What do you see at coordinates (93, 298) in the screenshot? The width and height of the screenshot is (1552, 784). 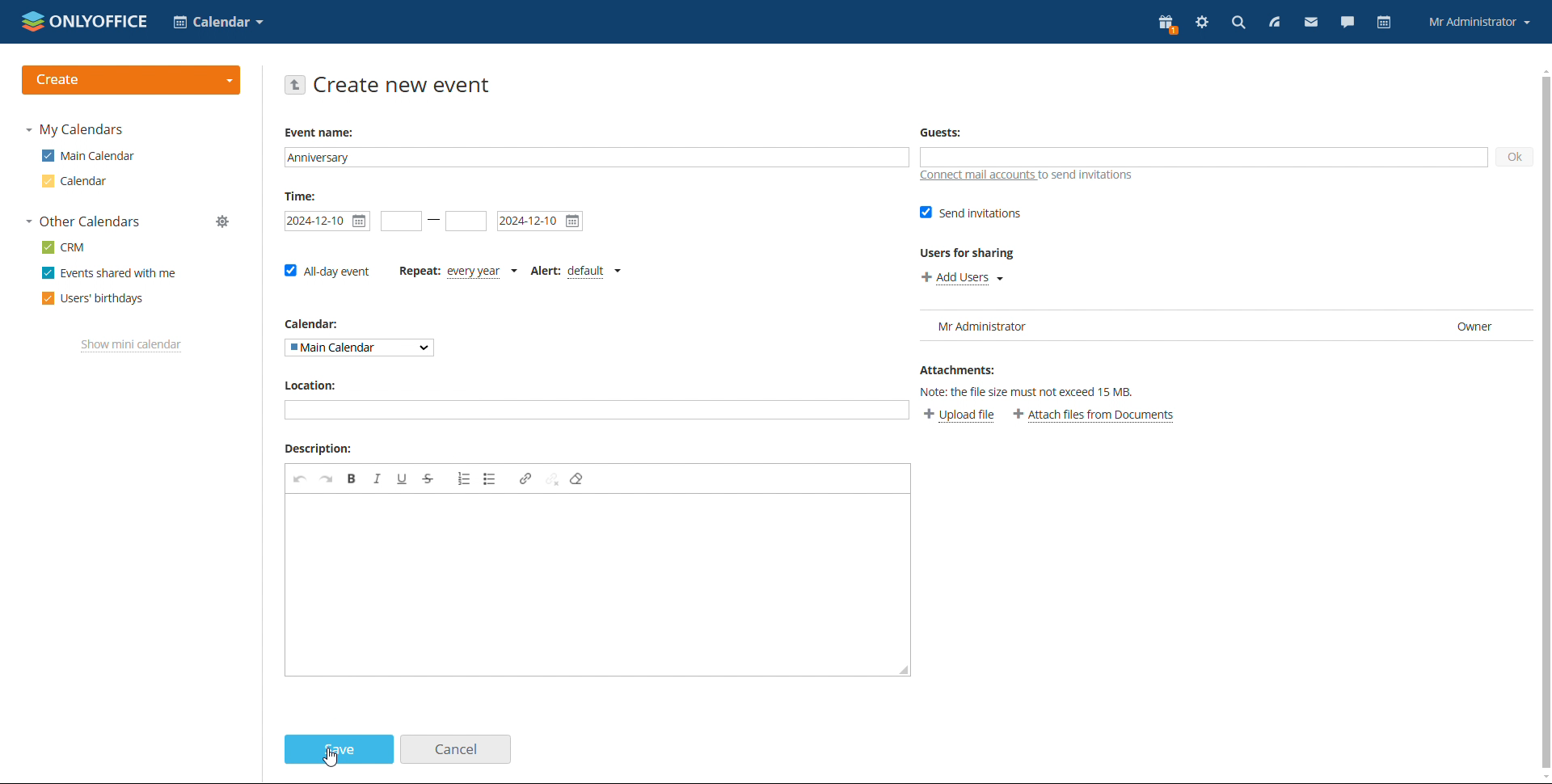 I see `users' birthdays` at bounding box center [93, 298].